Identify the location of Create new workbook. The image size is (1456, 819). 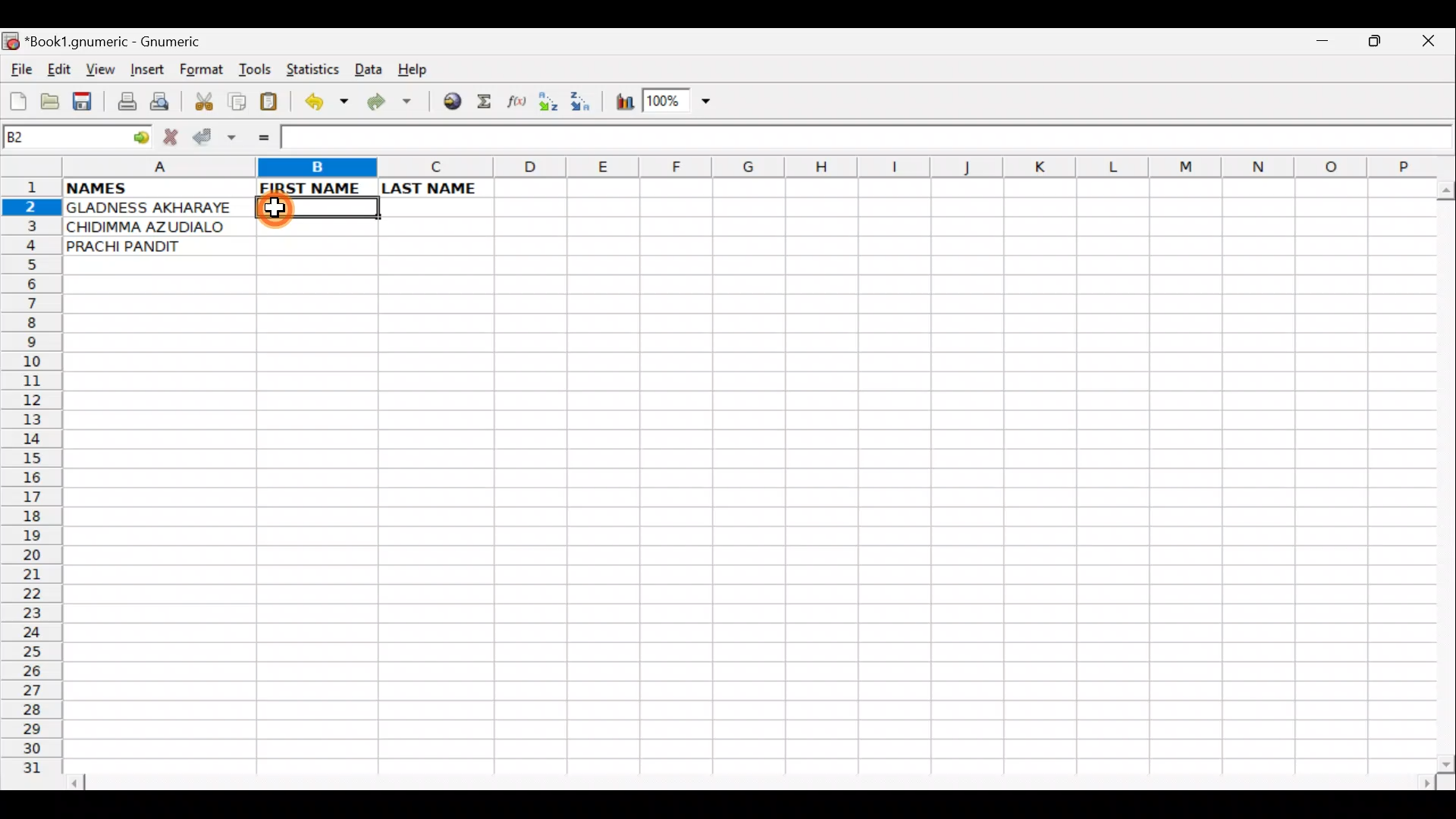
(17, 99).